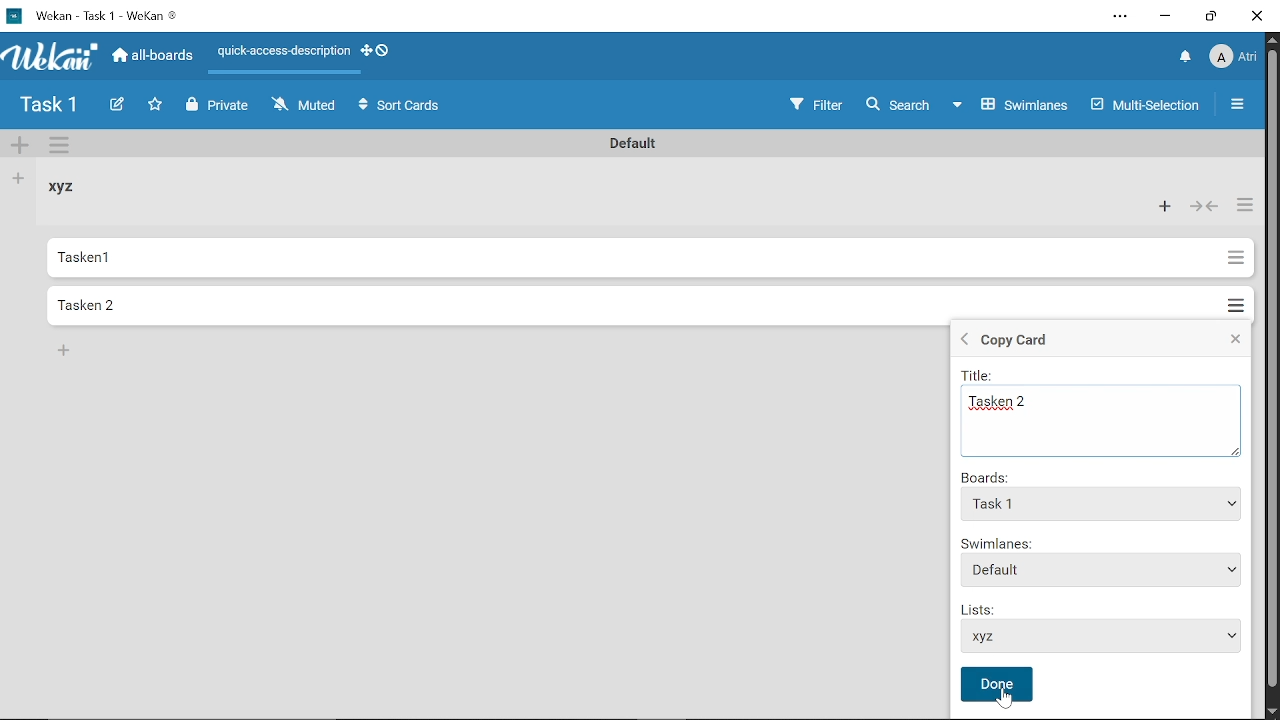 The height and width of the screenshot is (720, 1280). What do you see at coordinates (1233, 341) in the screenshot?
I see `Cllapse` at bounding box center [1233, 341].